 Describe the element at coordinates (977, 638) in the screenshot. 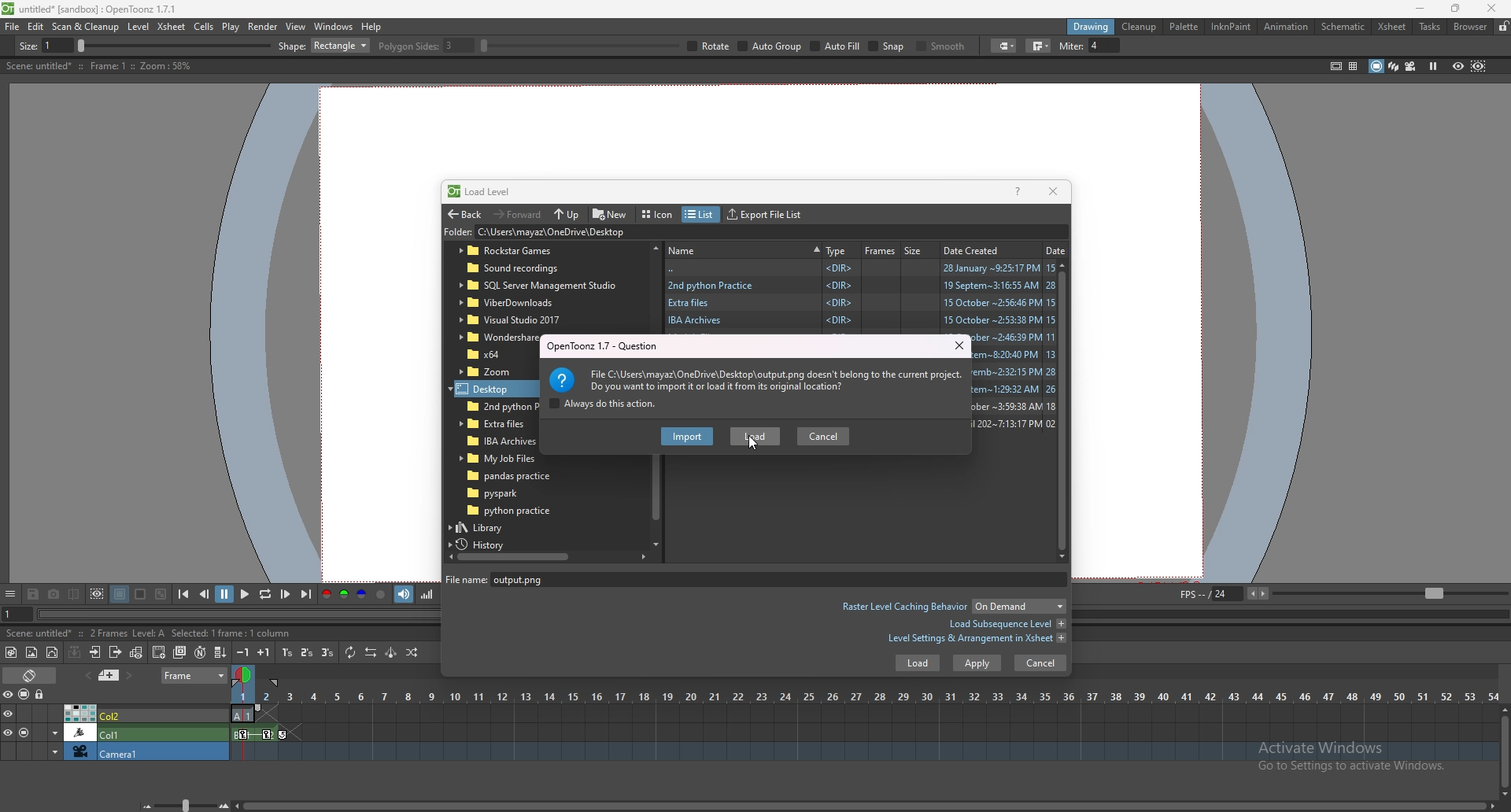

I see `level settings and arrangement` at that location.